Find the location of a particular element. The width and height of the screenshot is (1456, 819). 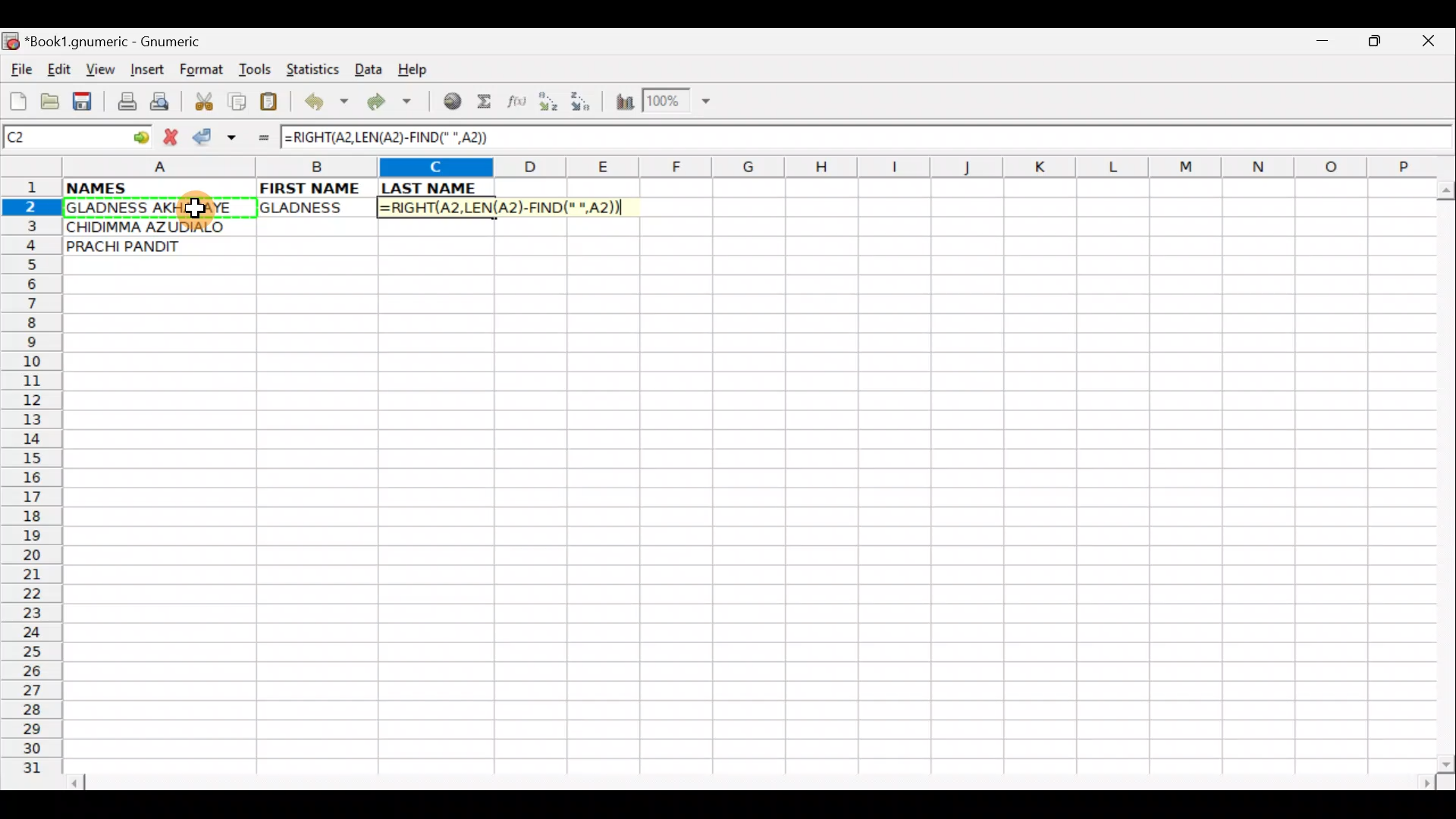

Data is located at coordinates (368, 68).